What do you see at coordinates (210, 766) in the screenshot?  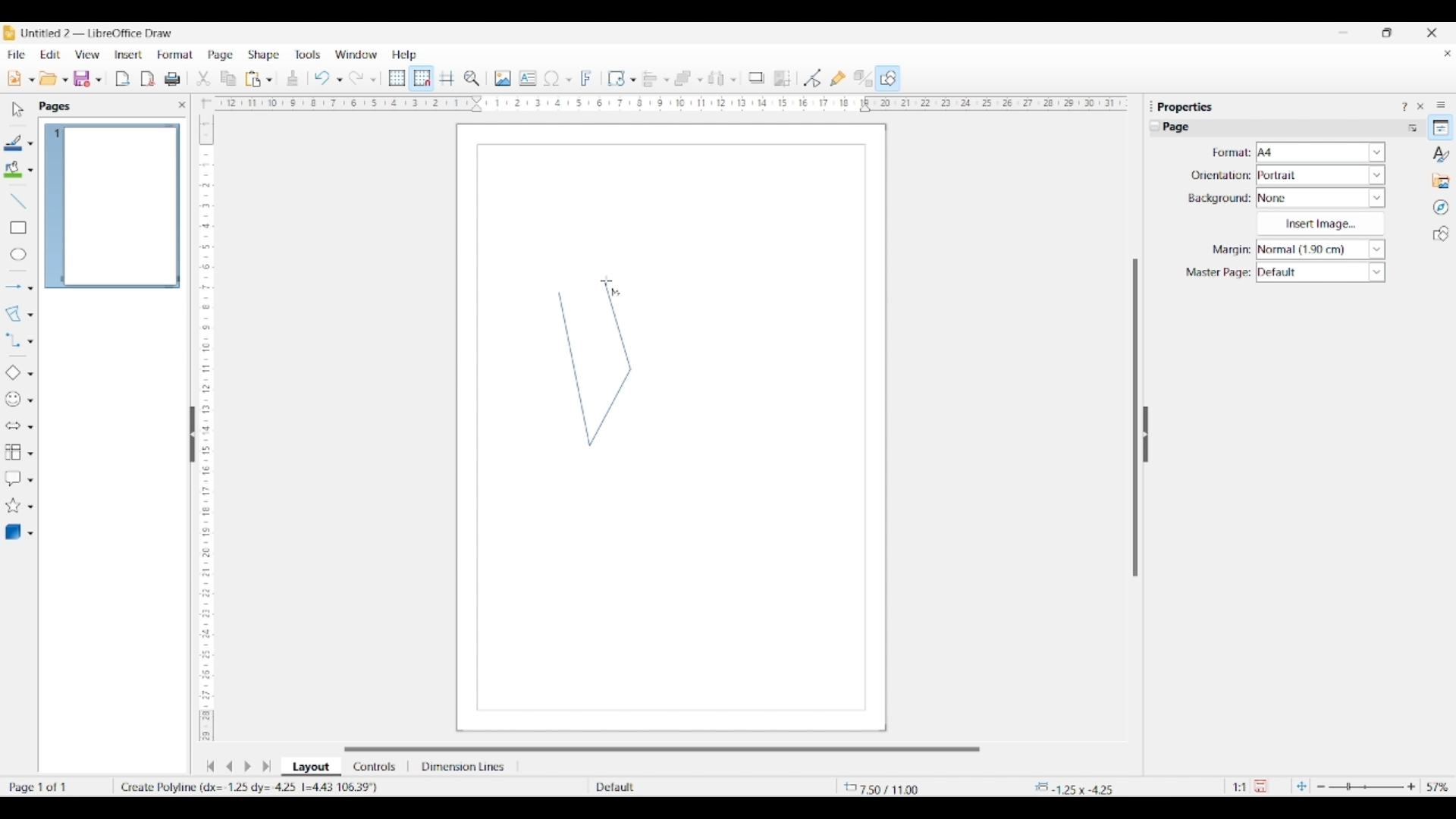 I see `Jump to first slide` at bounding box center [210, 766].